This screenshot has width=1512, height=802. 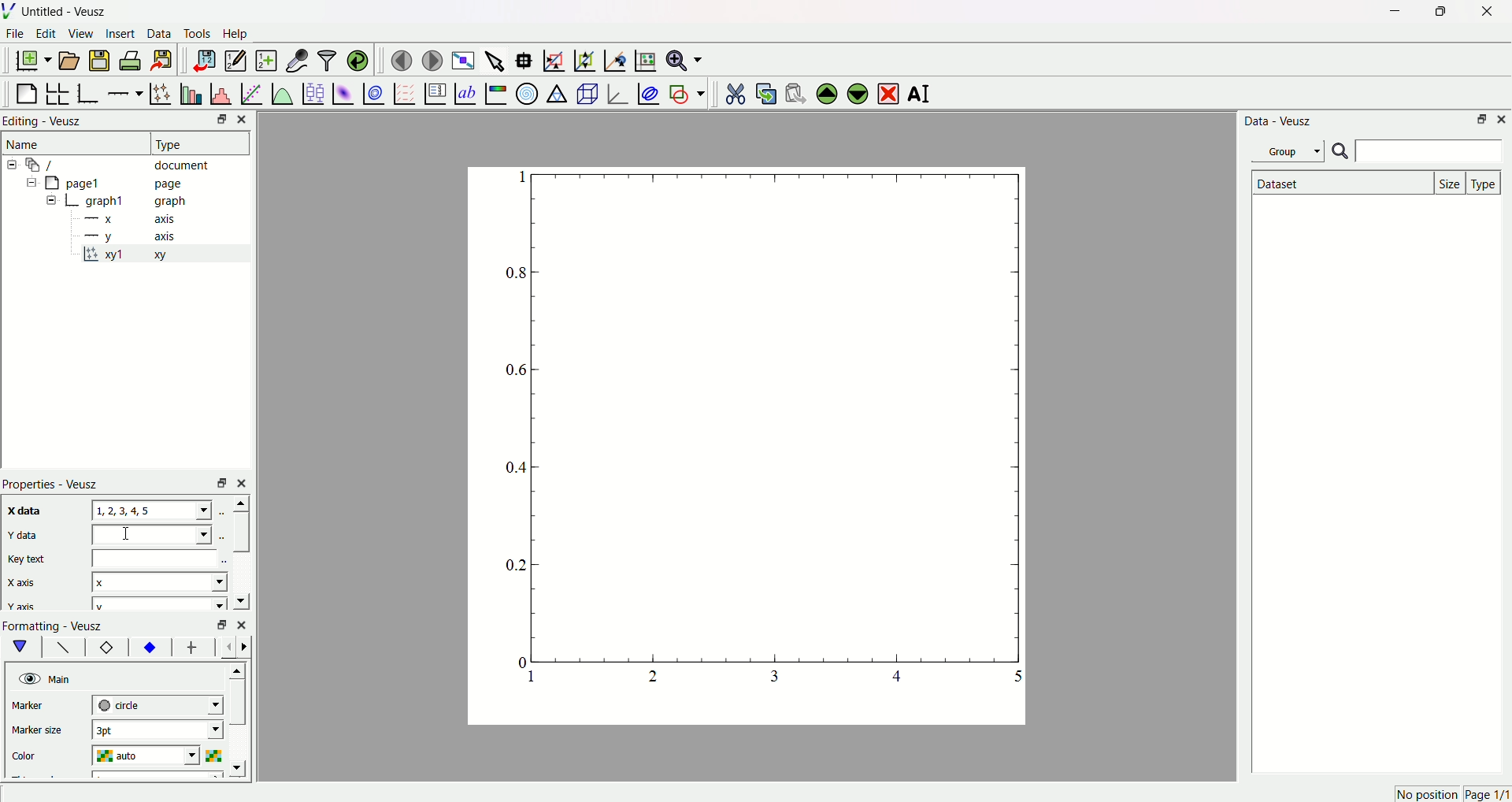 I want to click on move to next page, so click(x=433, y=58).